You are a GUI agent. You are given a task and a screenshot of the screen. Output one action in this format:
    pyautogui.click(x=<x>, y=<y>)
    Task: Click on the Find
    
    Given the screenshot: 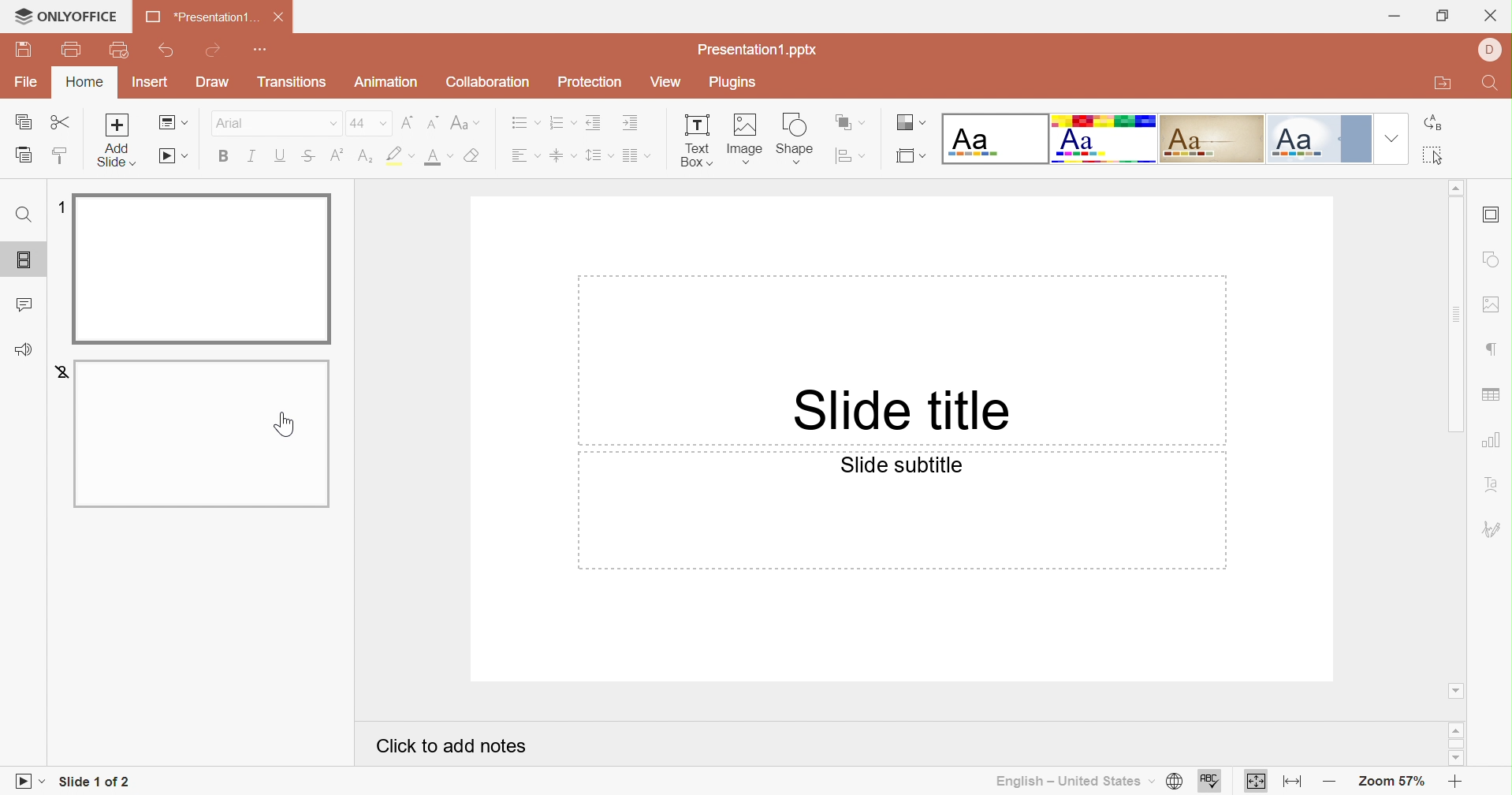 What is the action you would take?
    pyautogui.click(x=1494, y=85)
    